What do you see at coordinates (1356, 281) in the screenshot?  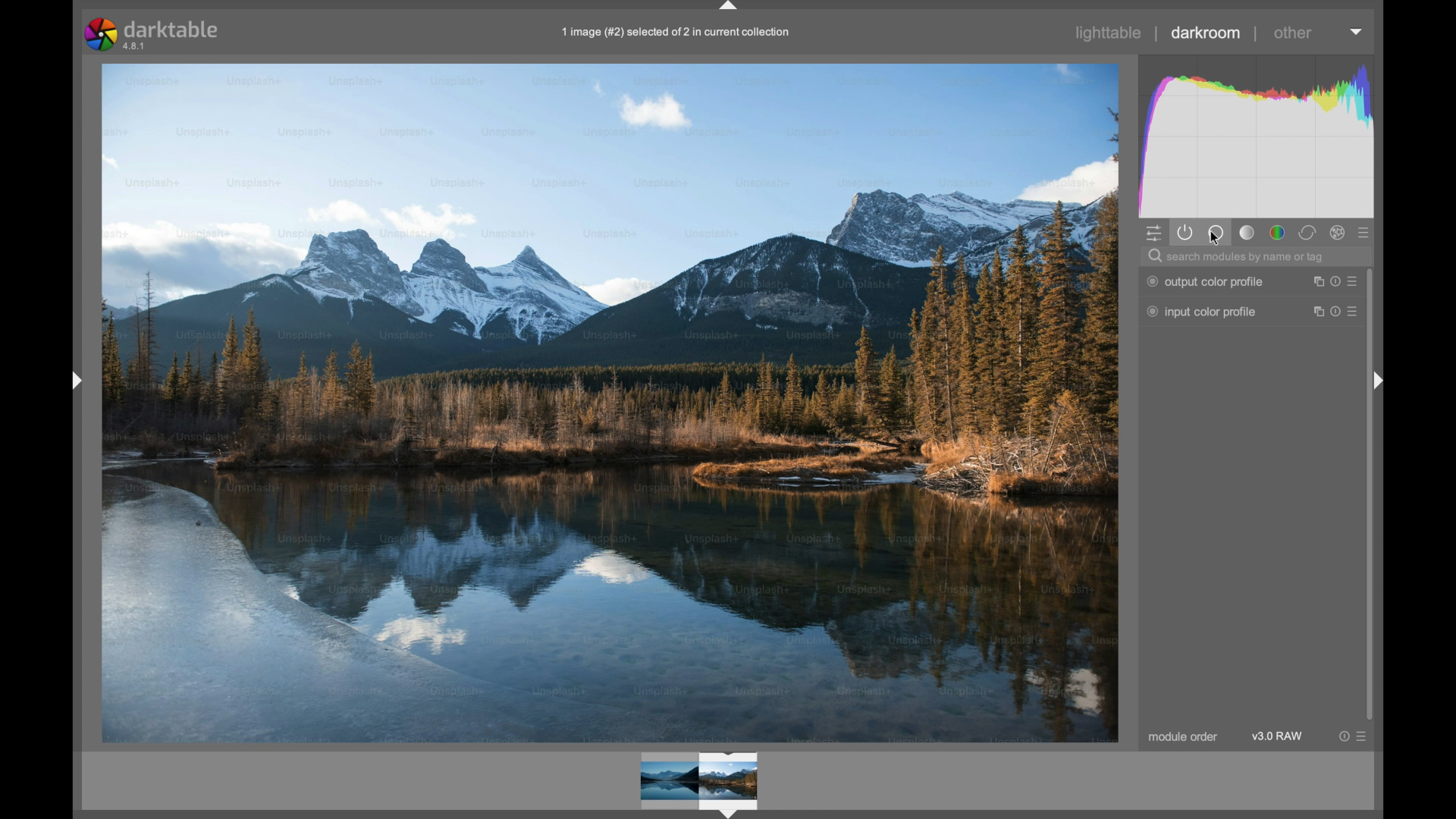 I see `presets` at bounding box center [1356, 281].